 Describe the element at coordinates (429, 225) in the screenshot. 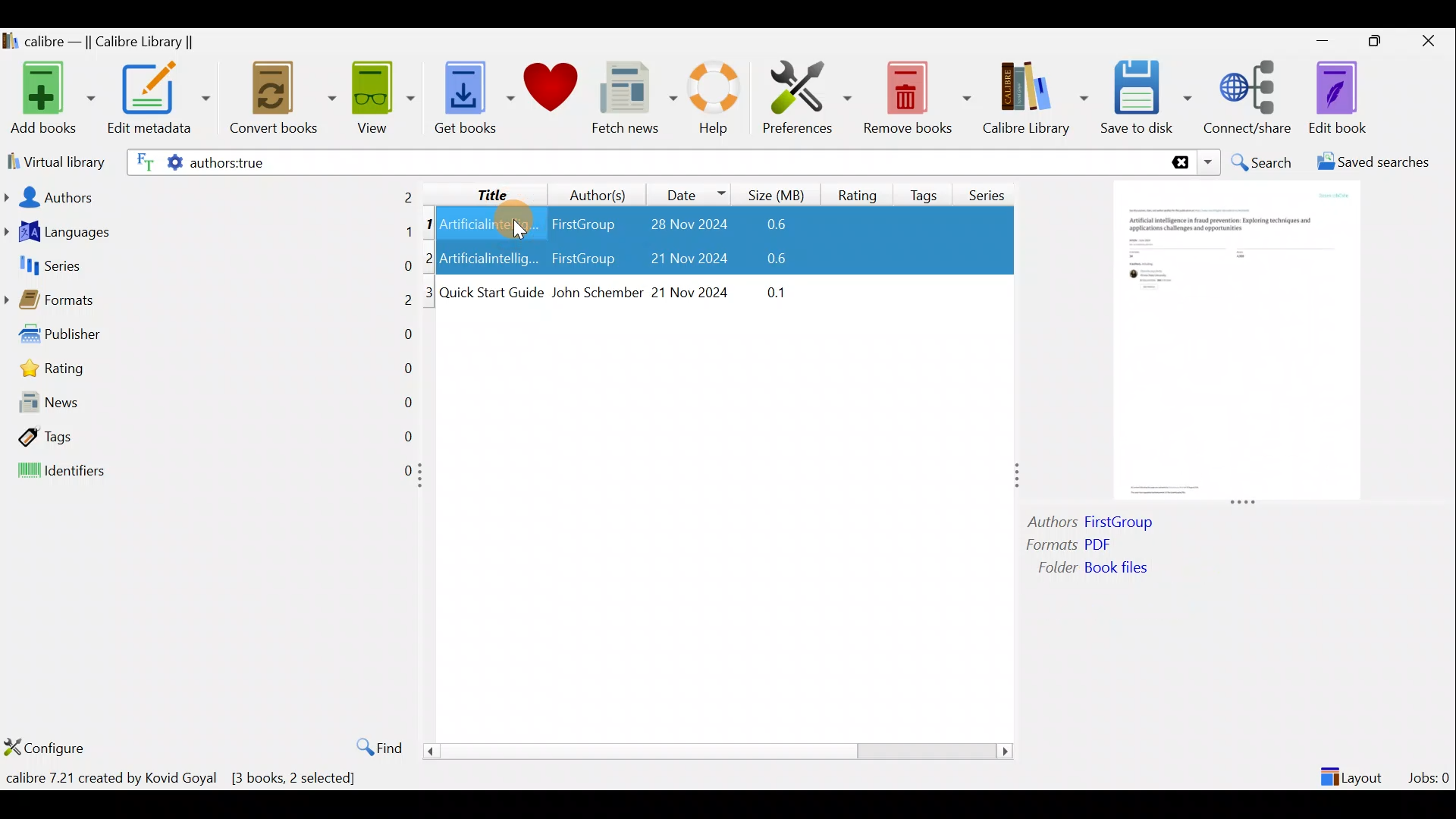

I see `1` at that location.